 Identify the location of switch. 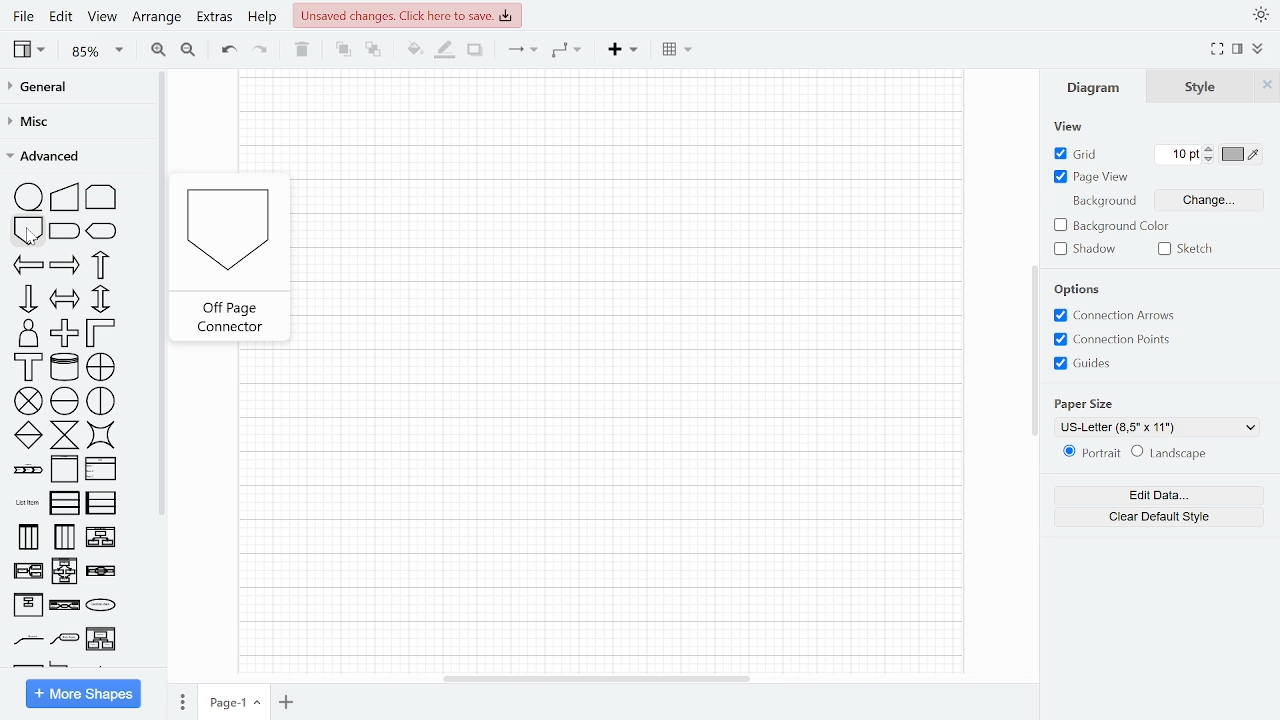
(102, 436).